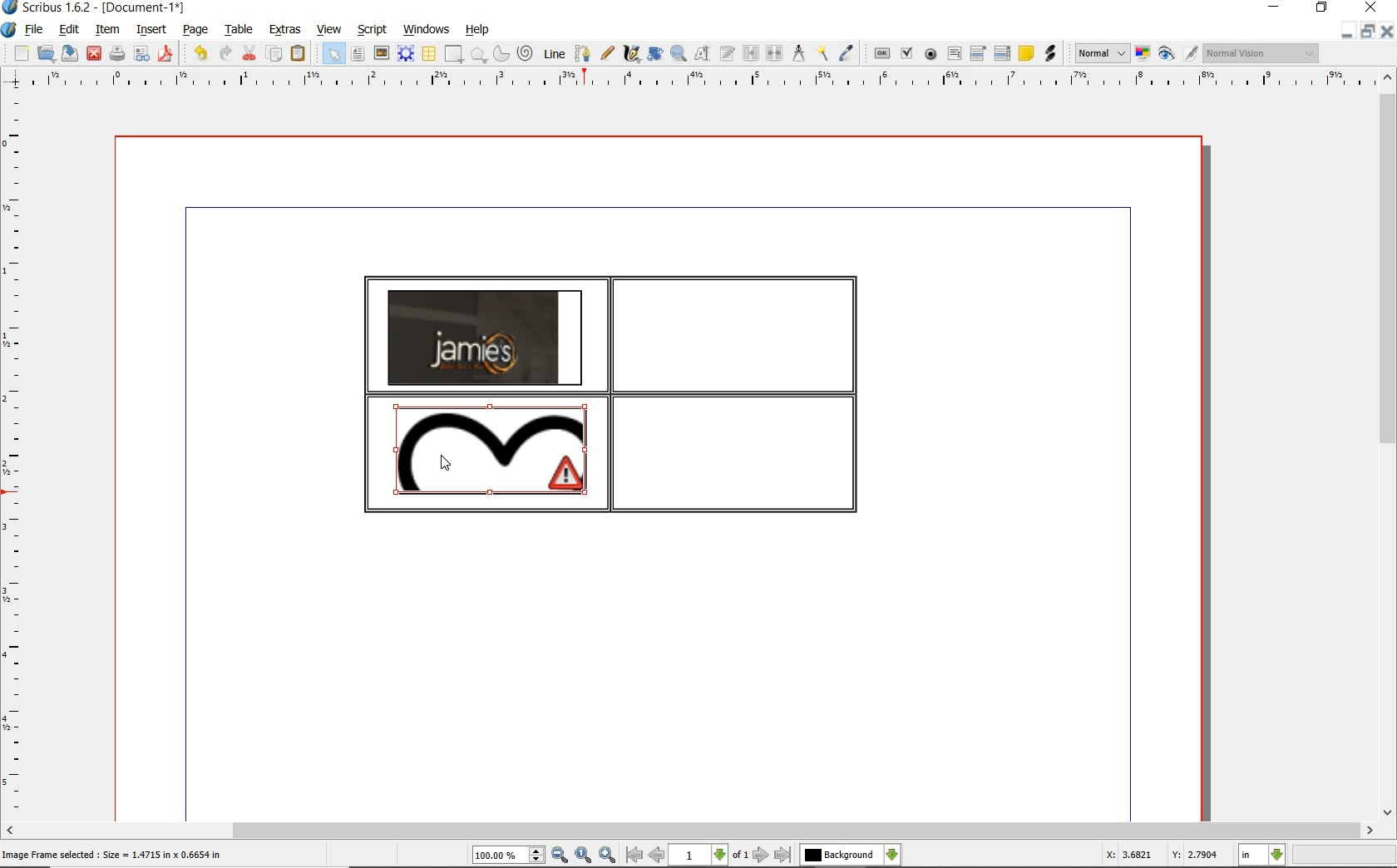 Image resolution: width=1397 pixels, height=868 pixels. What do you see at coordinates (980, 54) in the screenshot?
I see `pdf combo box` at bounding box center [980, 54].